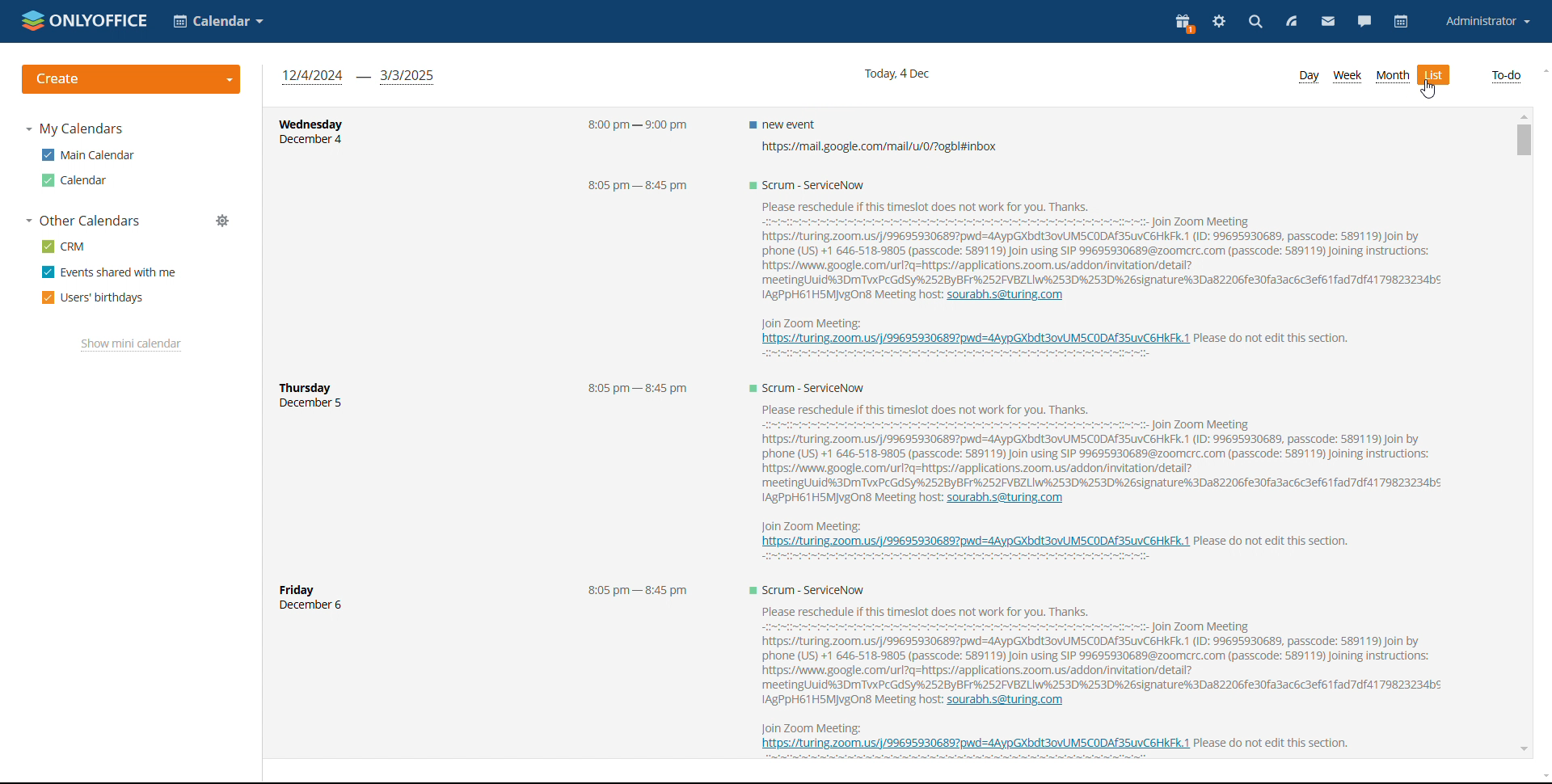 The image size is (1552, 784). Describe the element at coordinates (93, 297) in the screenshot. I see `users' birthdays` at that location.